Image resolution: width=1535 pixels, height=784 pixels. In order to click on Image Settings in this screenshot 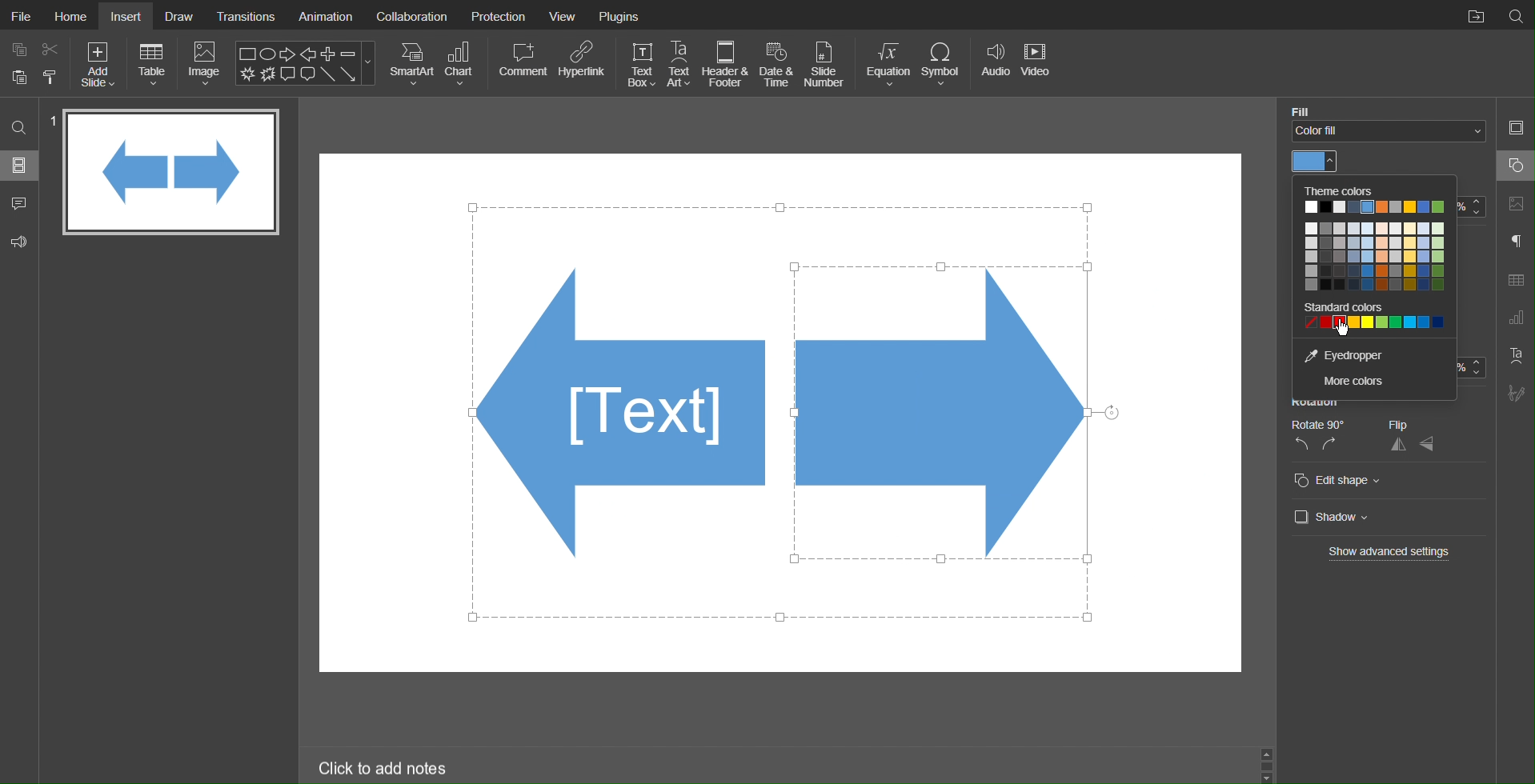, I will do `click(1515, 205)`.